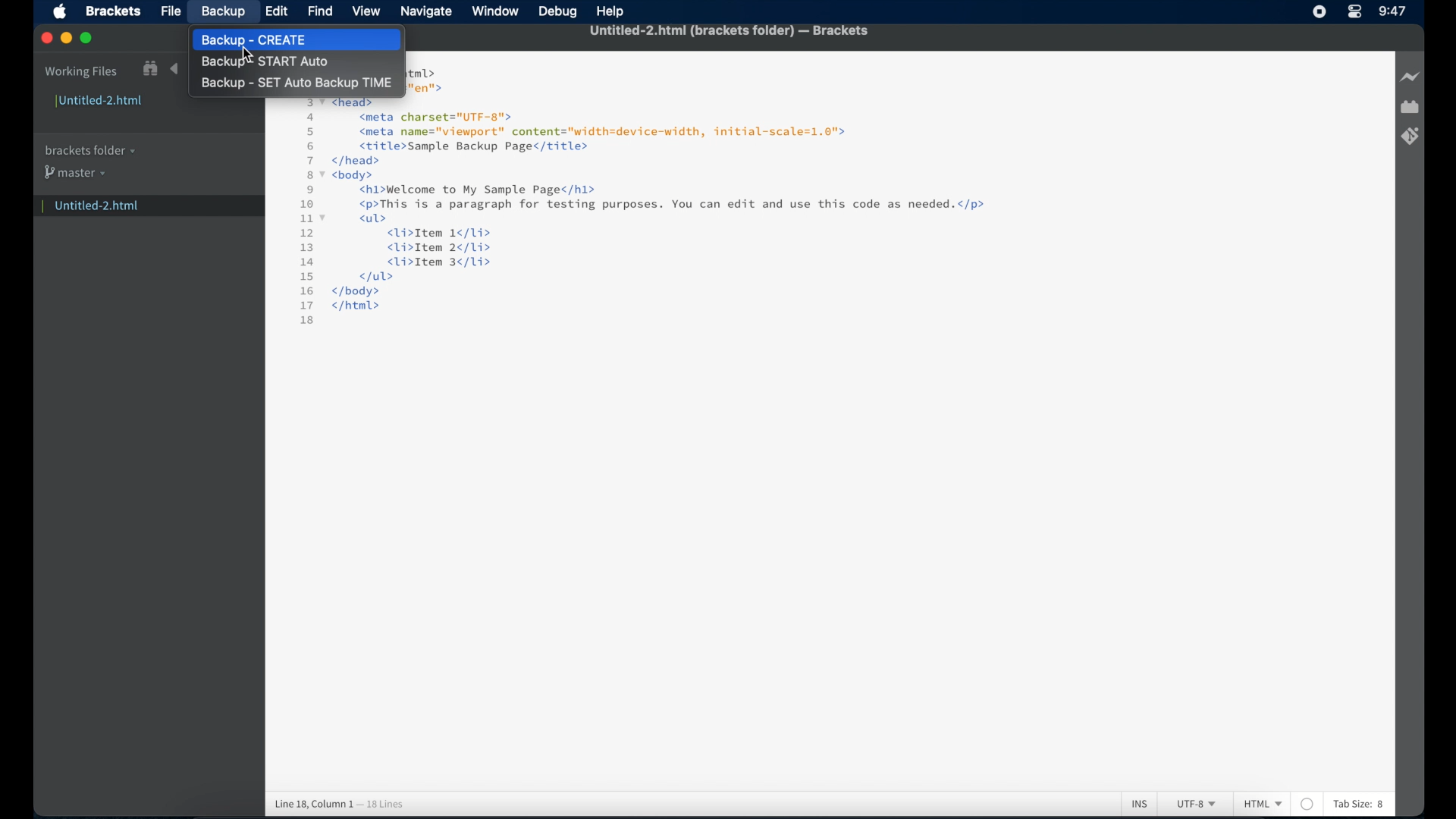 This screenshot has width=1456, height=819. Describe the element at coordinates (366, 11) in the screenshot. I see `view` at that location.